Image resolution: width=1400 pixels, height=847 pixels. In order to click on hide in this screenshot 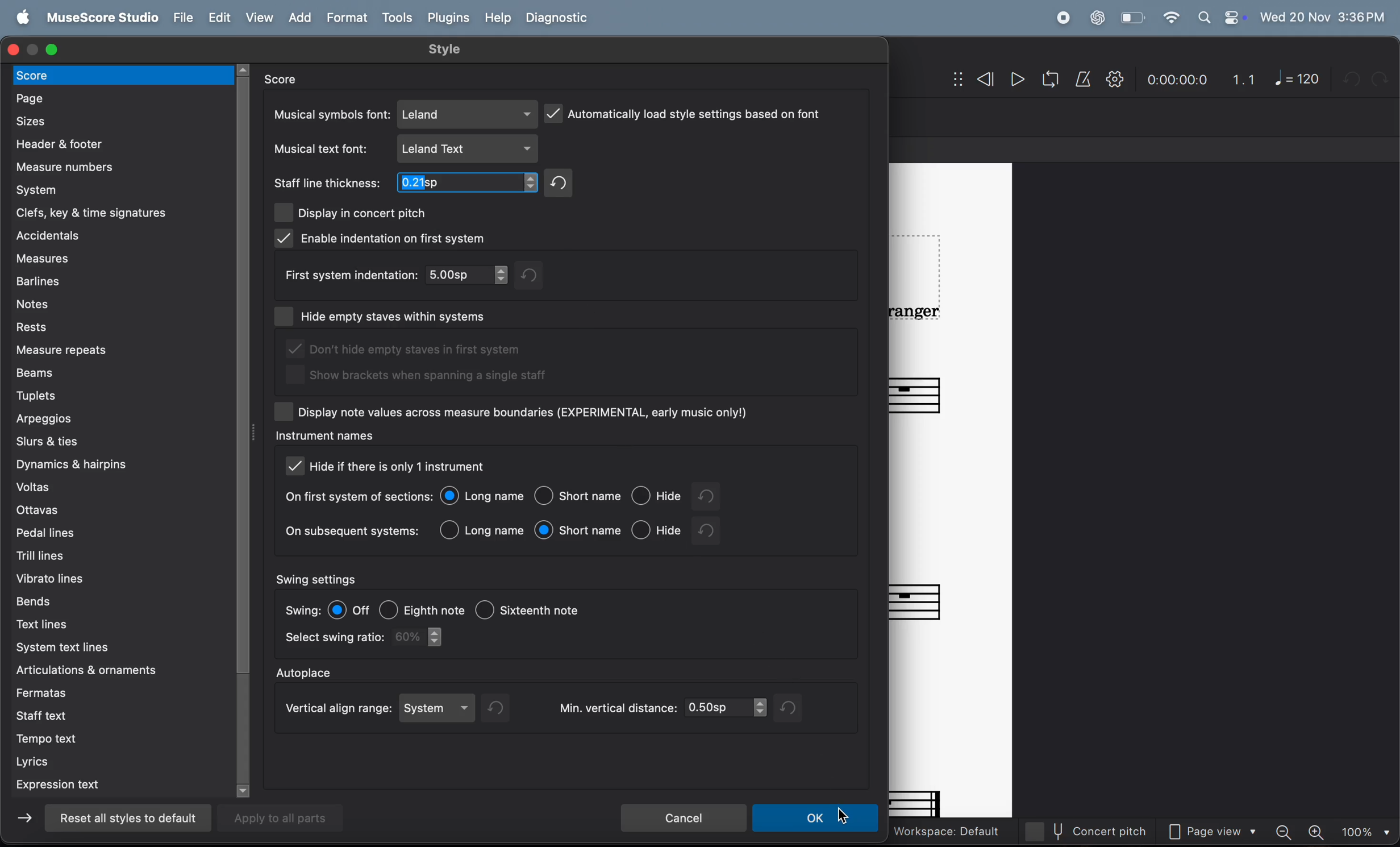, I will do `click(657, 529)`.